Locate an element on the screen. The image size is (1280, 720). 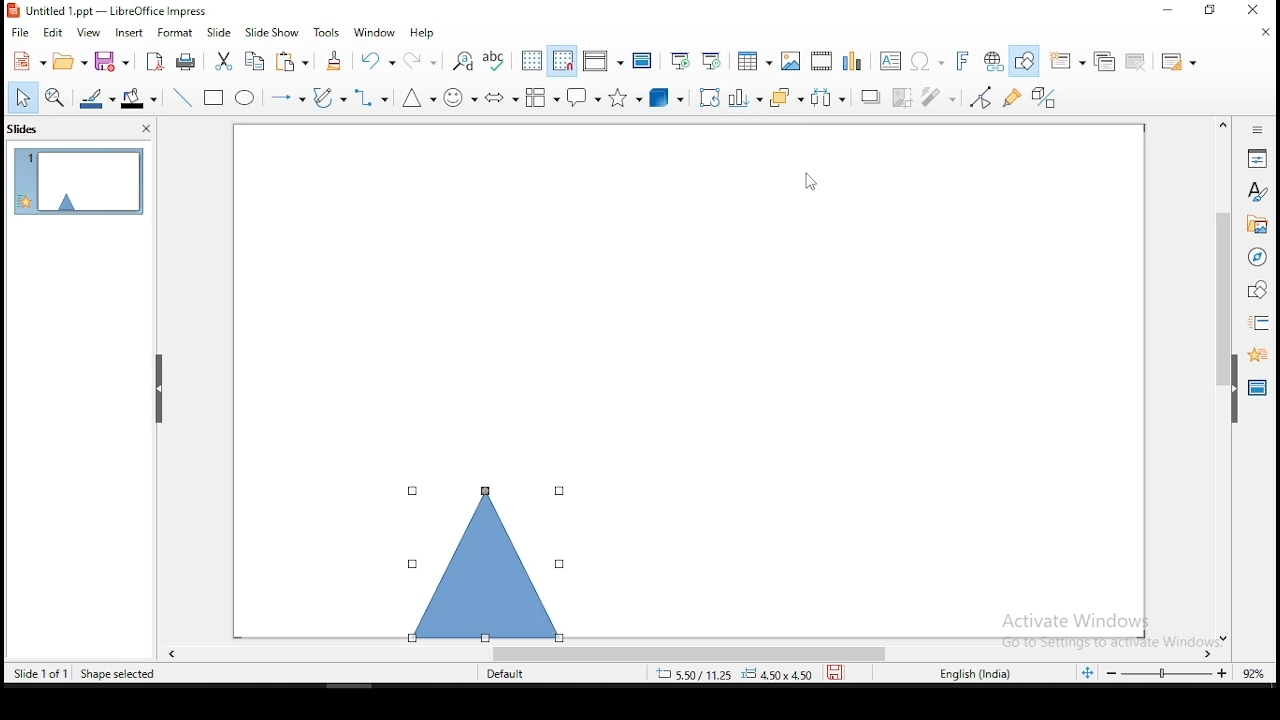
delete slide is located at coordinates (1135, 60).